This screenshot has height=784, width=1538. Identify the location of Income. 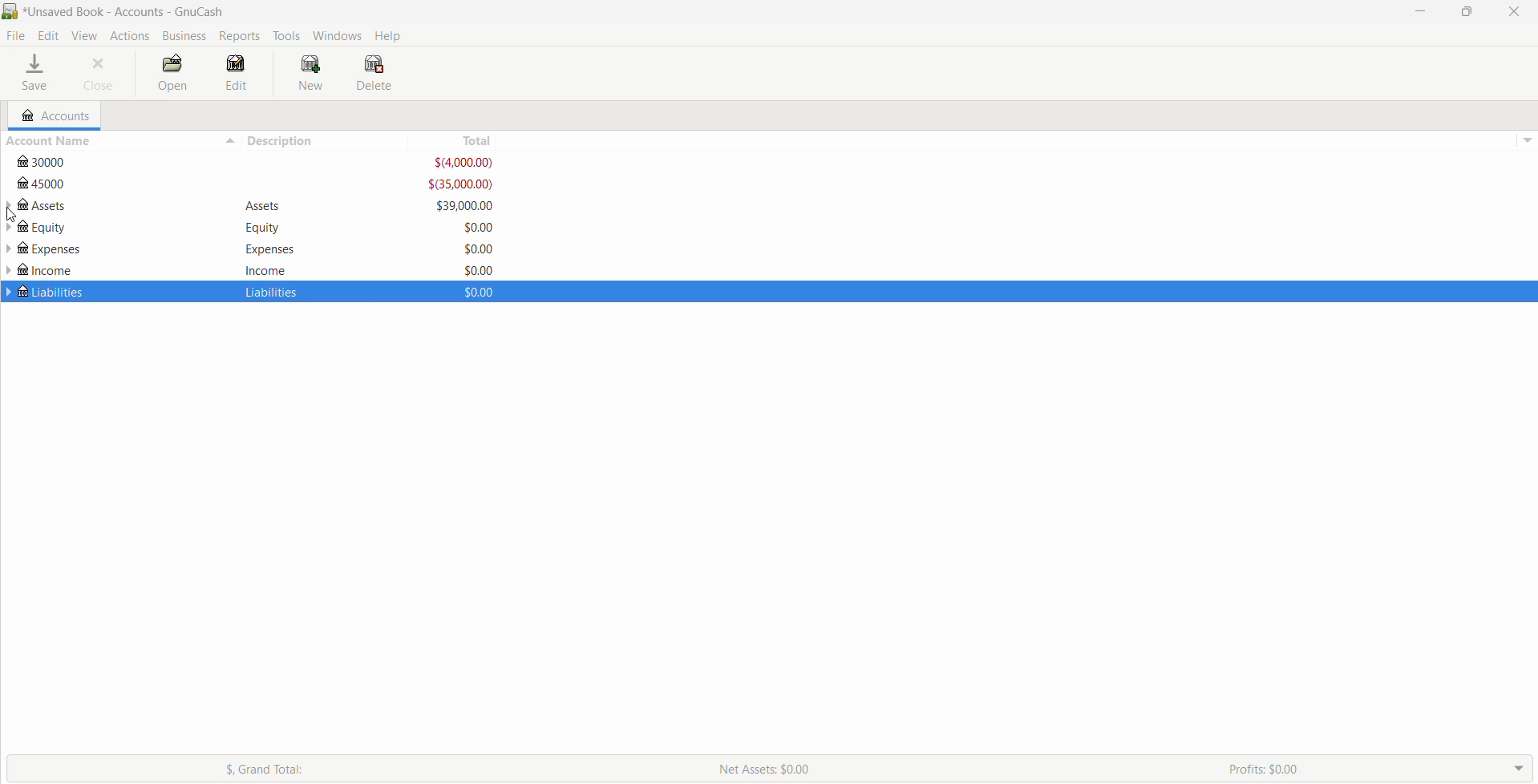
(277, 269).